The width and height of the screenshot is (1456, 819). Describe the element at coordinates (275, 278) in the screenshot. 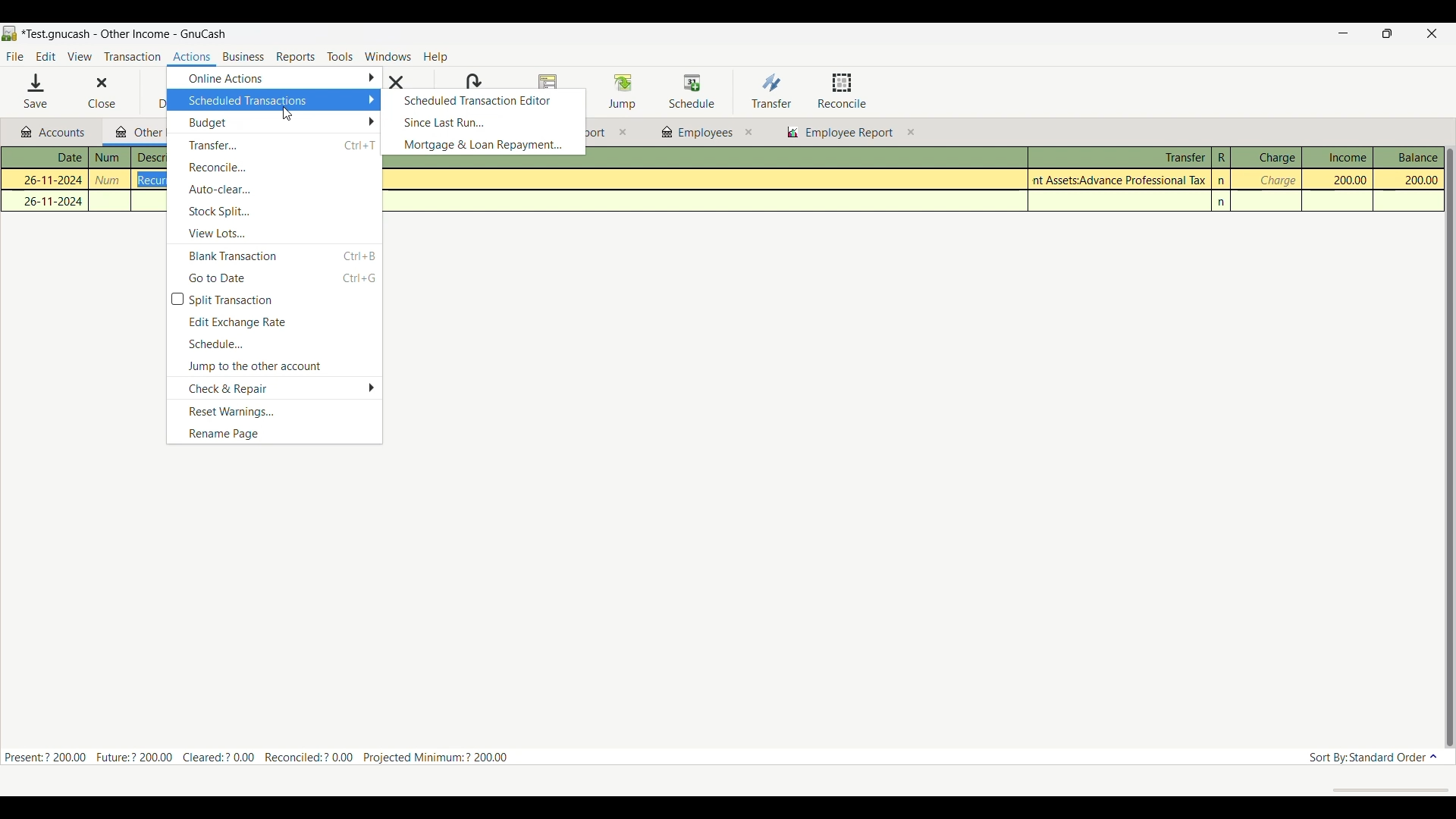

I see `Go to date` at that location.